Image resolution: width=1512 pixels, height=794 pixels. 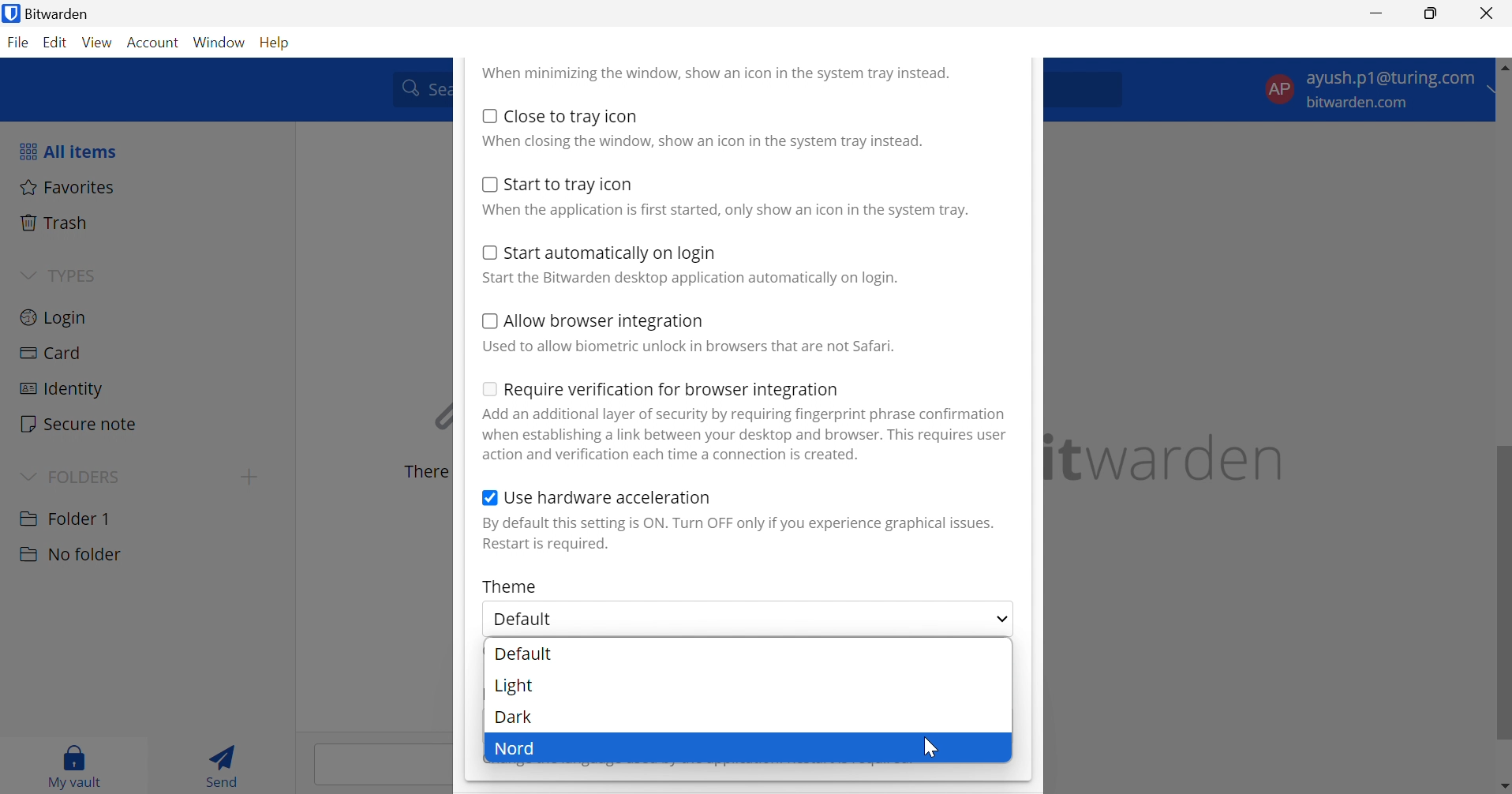 I want to click on There are no items to list., so click(x=422, y=472).